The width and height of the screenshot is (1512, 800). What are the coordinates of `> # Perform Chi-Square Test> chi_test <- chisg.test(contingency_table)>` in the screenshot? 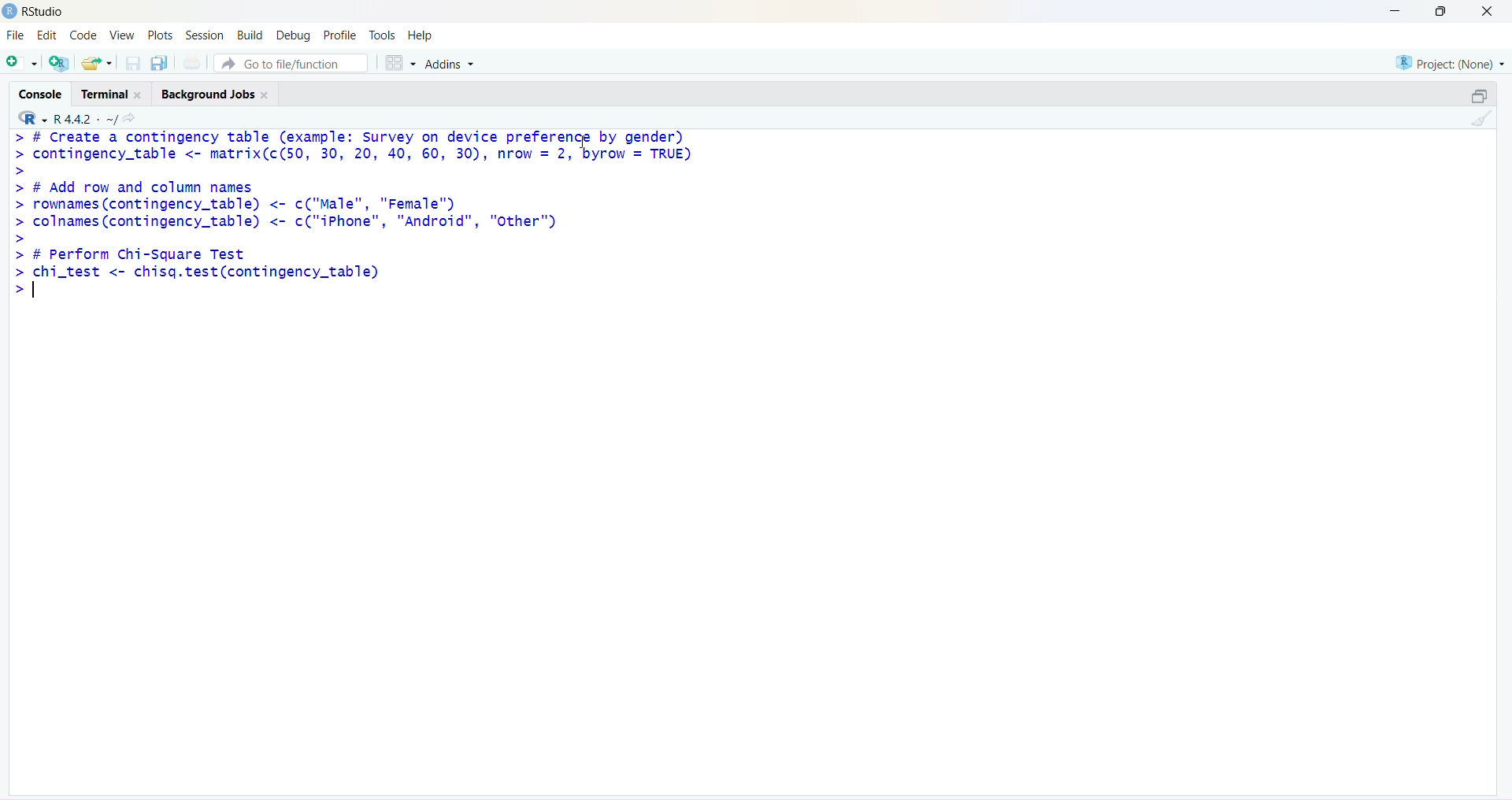 It's located at (202, 272).